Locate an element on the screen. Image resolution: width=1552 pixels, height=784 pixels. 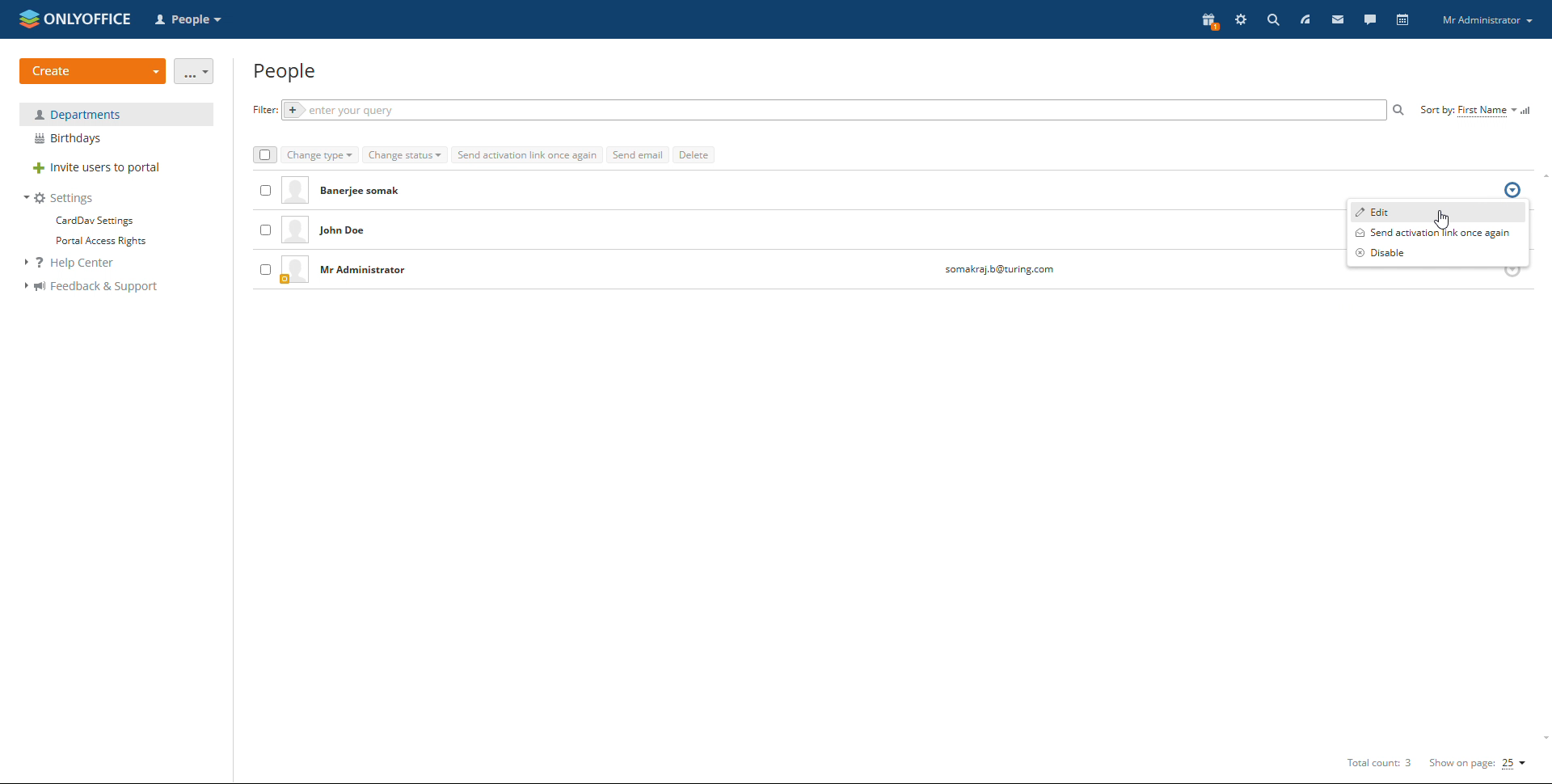
send activation link again is located at coordinates (527, 154).